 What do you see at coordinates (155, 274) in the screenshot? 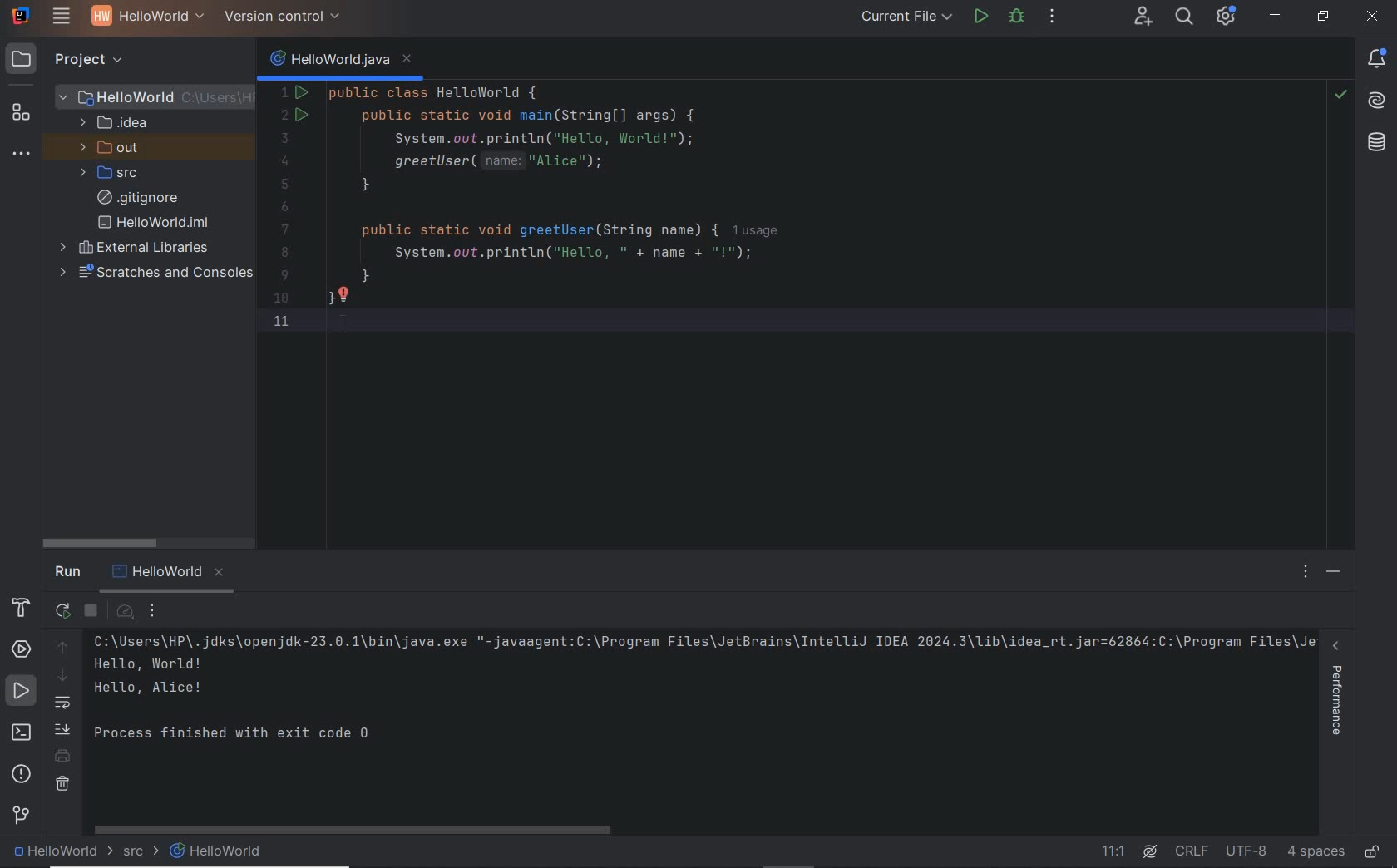
I see `scratches and consoles` at bounding box center [155, 274].